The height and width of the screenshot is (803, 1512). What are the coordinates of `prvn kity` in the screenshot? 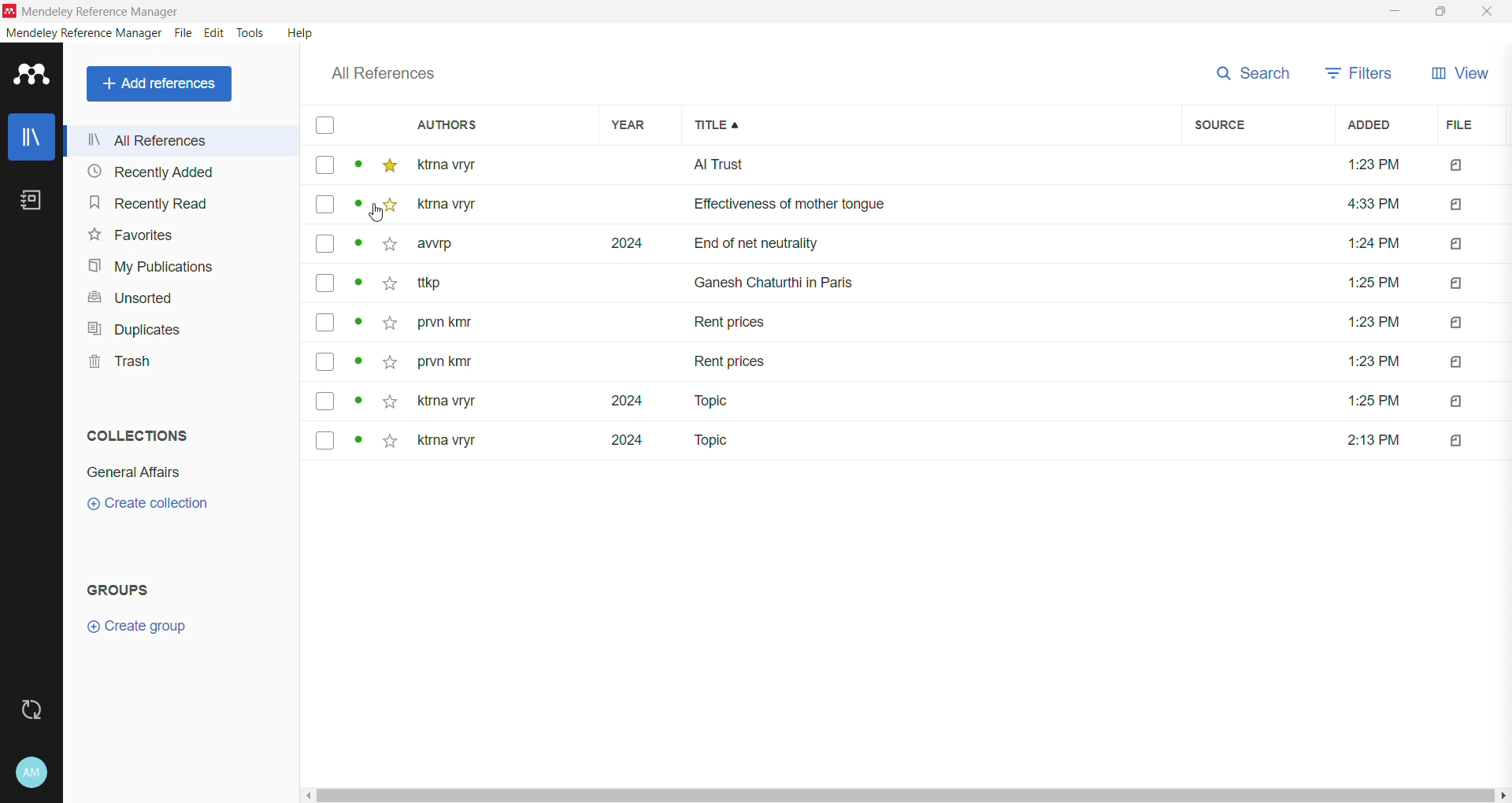 It's located at (445, 364).